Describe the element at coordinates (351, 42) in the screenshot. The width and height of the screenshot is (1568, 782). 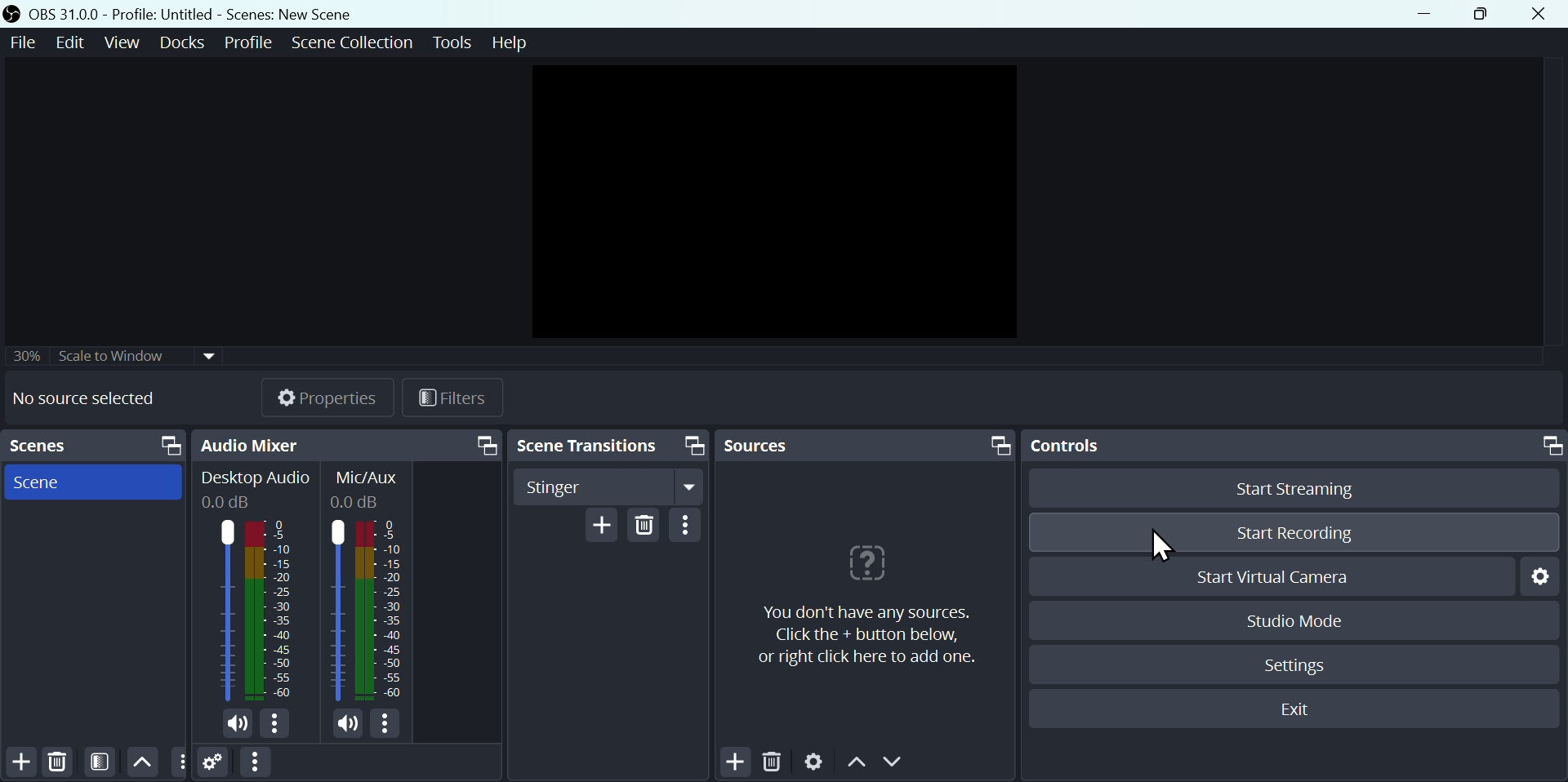
I see `scenes collection` at that location.